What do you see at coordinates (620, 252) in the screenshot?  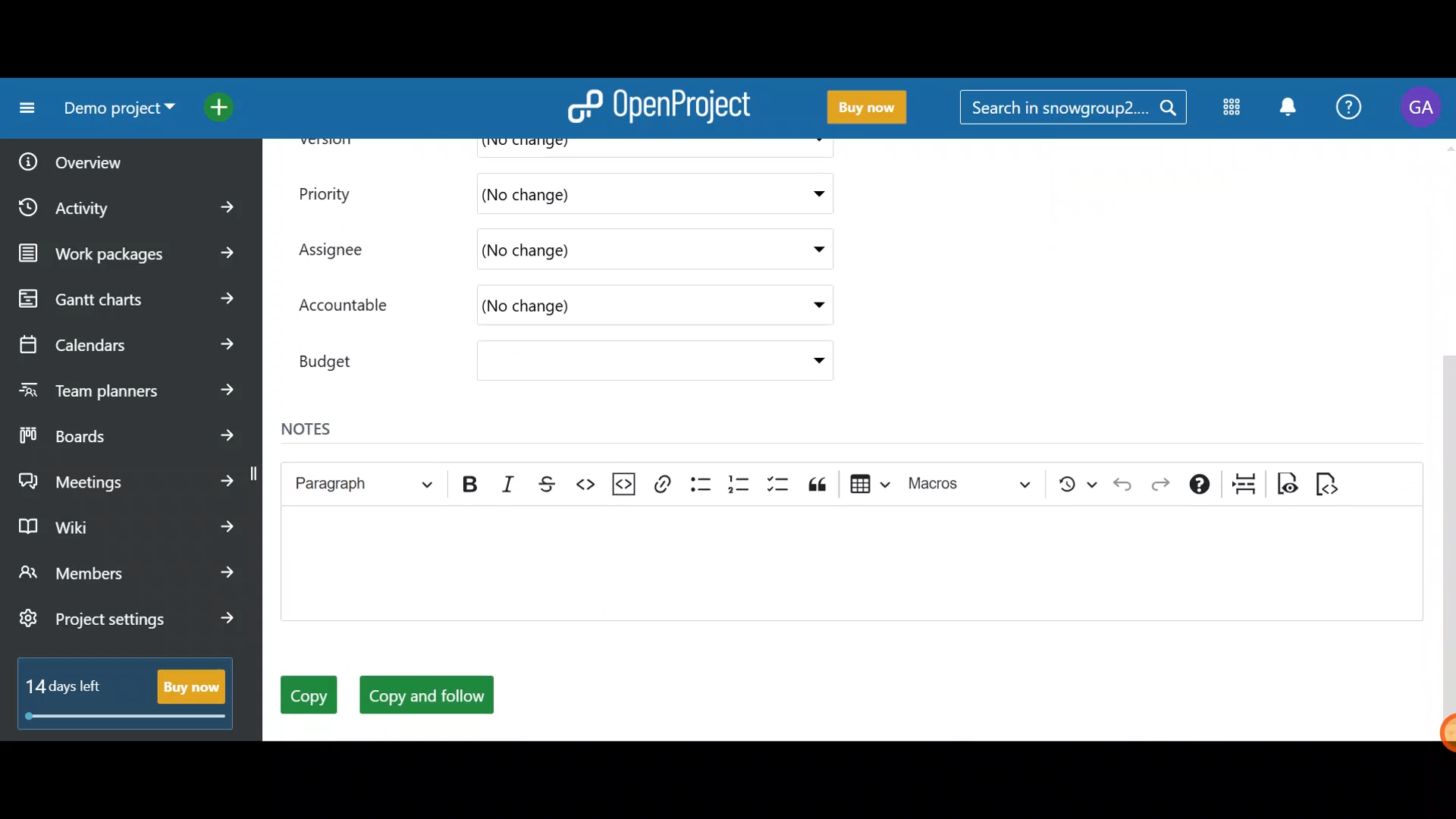 I see `(No change)` at bounding box center [620, 252].